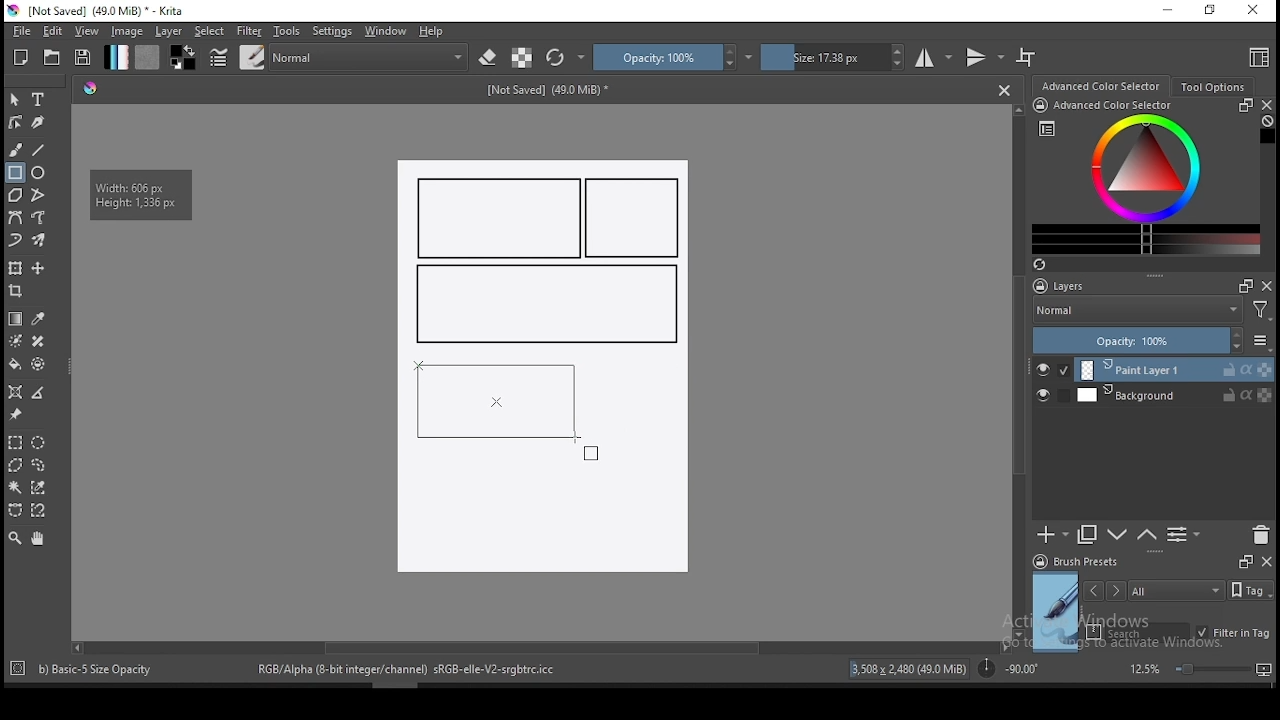 The height and width of the screenshot is (720, 1280). I want to click on advance color selector, so click(1103, 85).